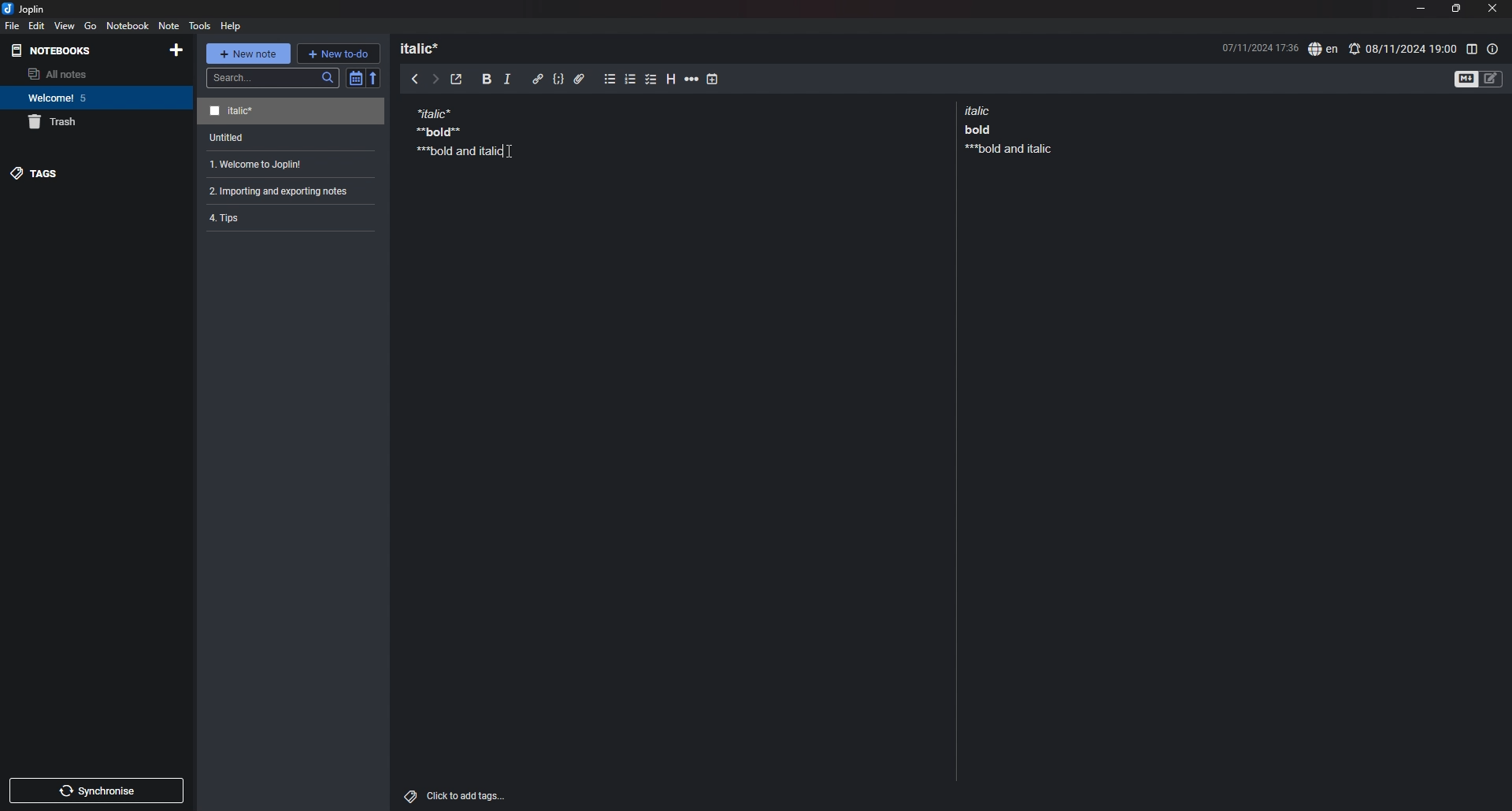 This screenshot has height=811, width=1512. I want to click on tools, so click(200, 25).